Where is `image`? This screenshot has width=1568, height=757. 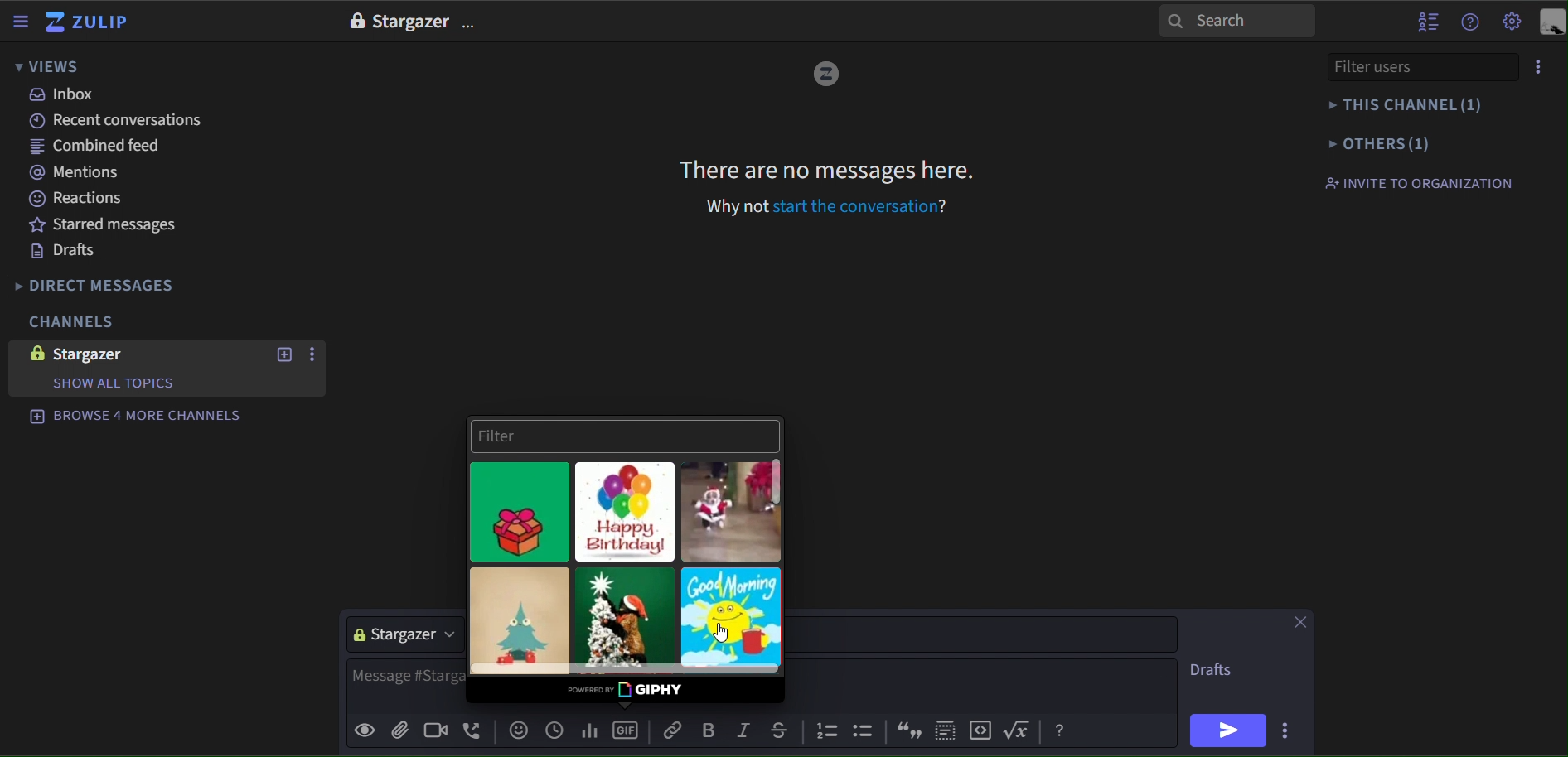
image is located at coordinates (732, 510).